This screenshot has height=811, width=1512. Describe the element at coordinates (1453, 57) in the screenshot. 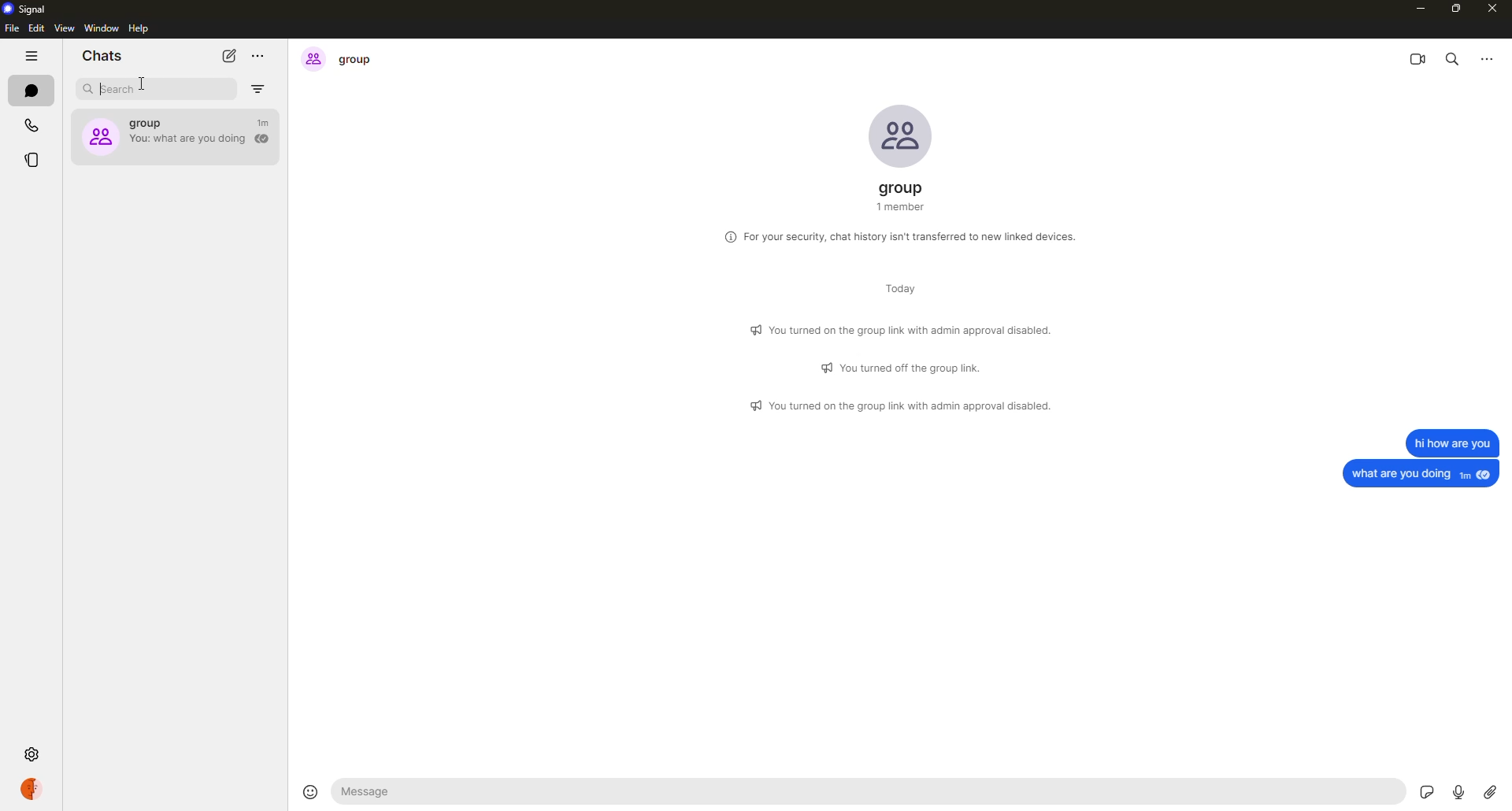

I see `search` at that location.